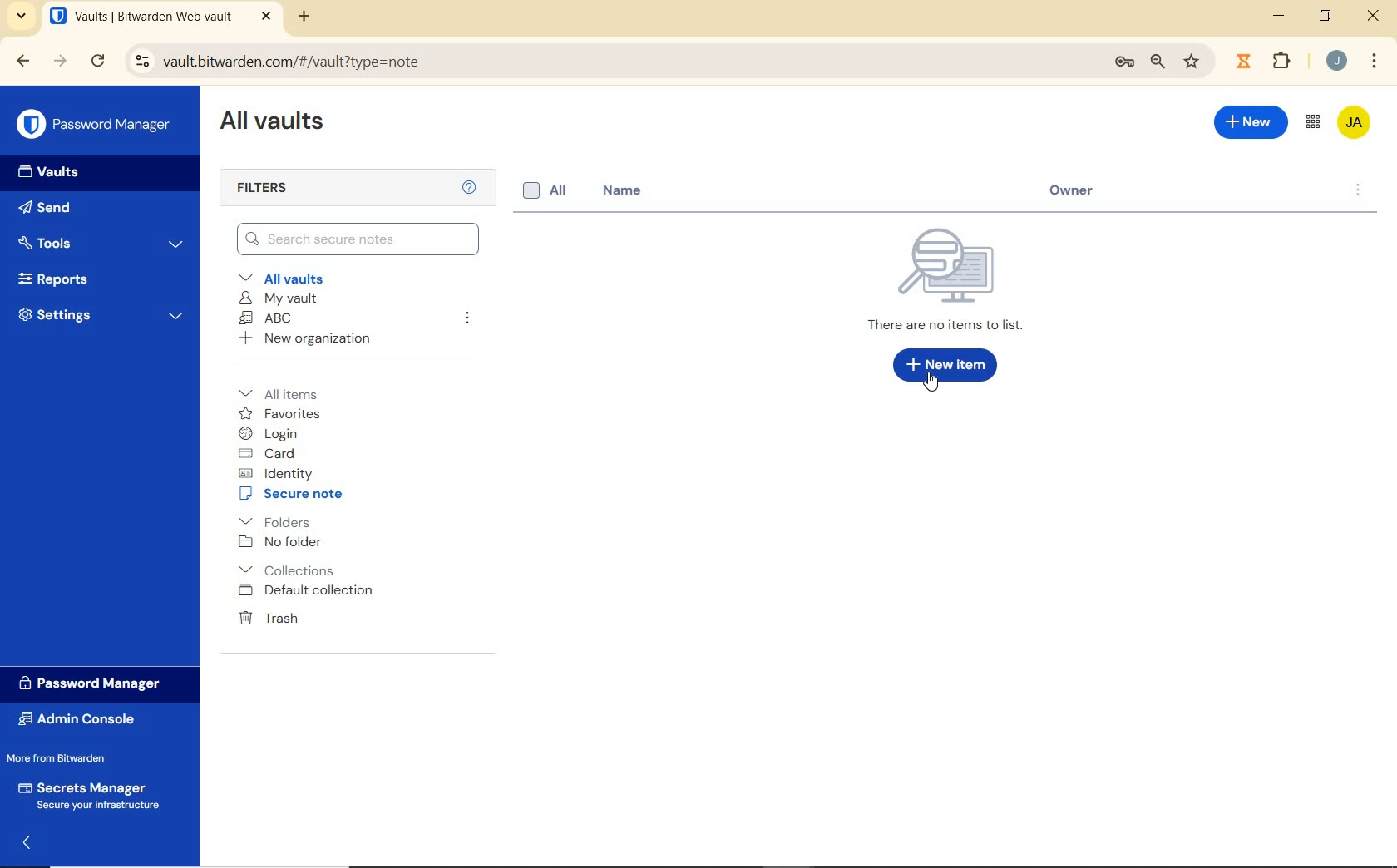 The width and height of the screenshot is (1397, 868). Describe the element at coordinates (471, 188) in the screenshot. I see `Help` at that location.